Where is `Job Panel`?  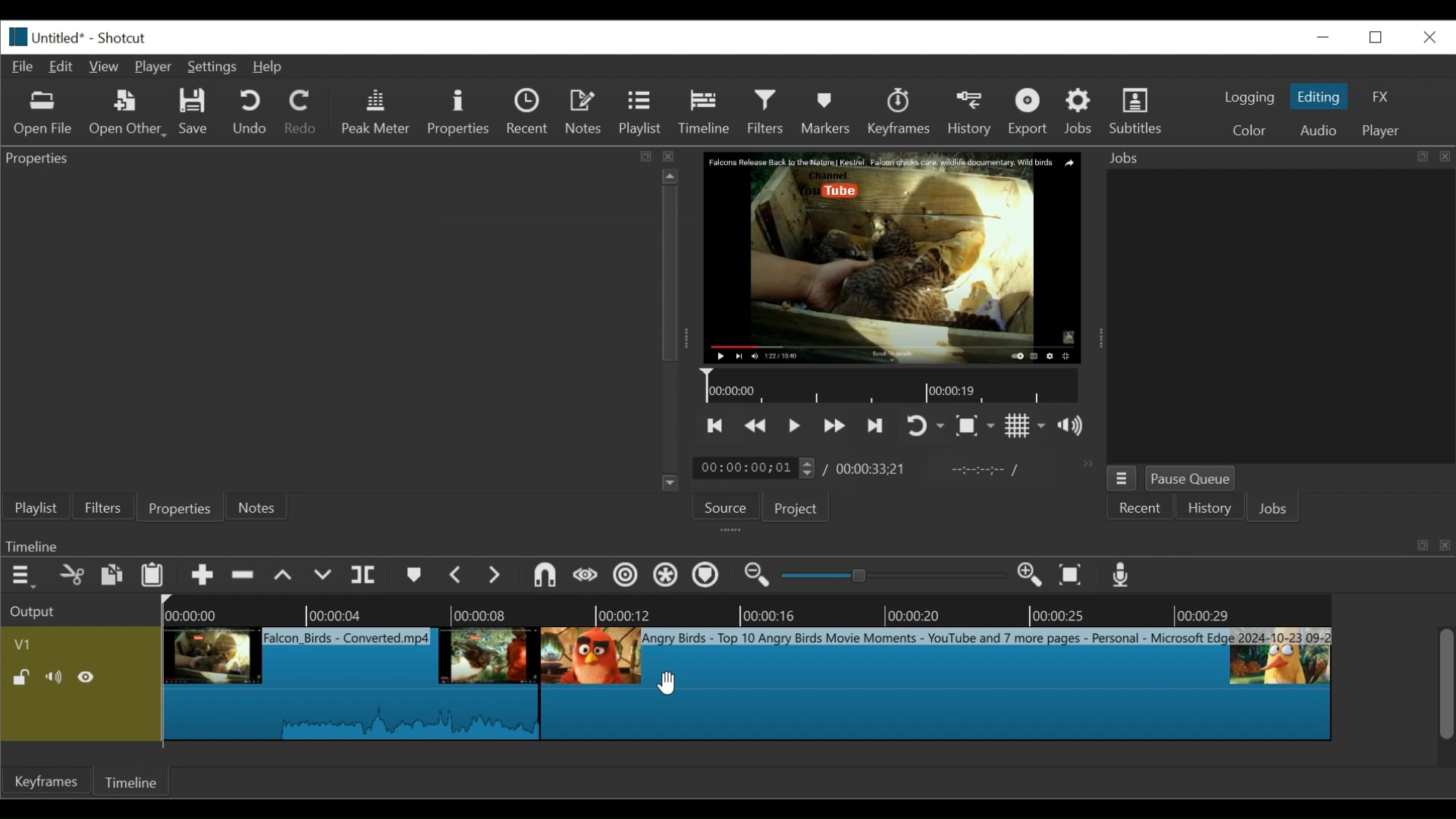 Job Panel is located at coordinates (1279, 317).